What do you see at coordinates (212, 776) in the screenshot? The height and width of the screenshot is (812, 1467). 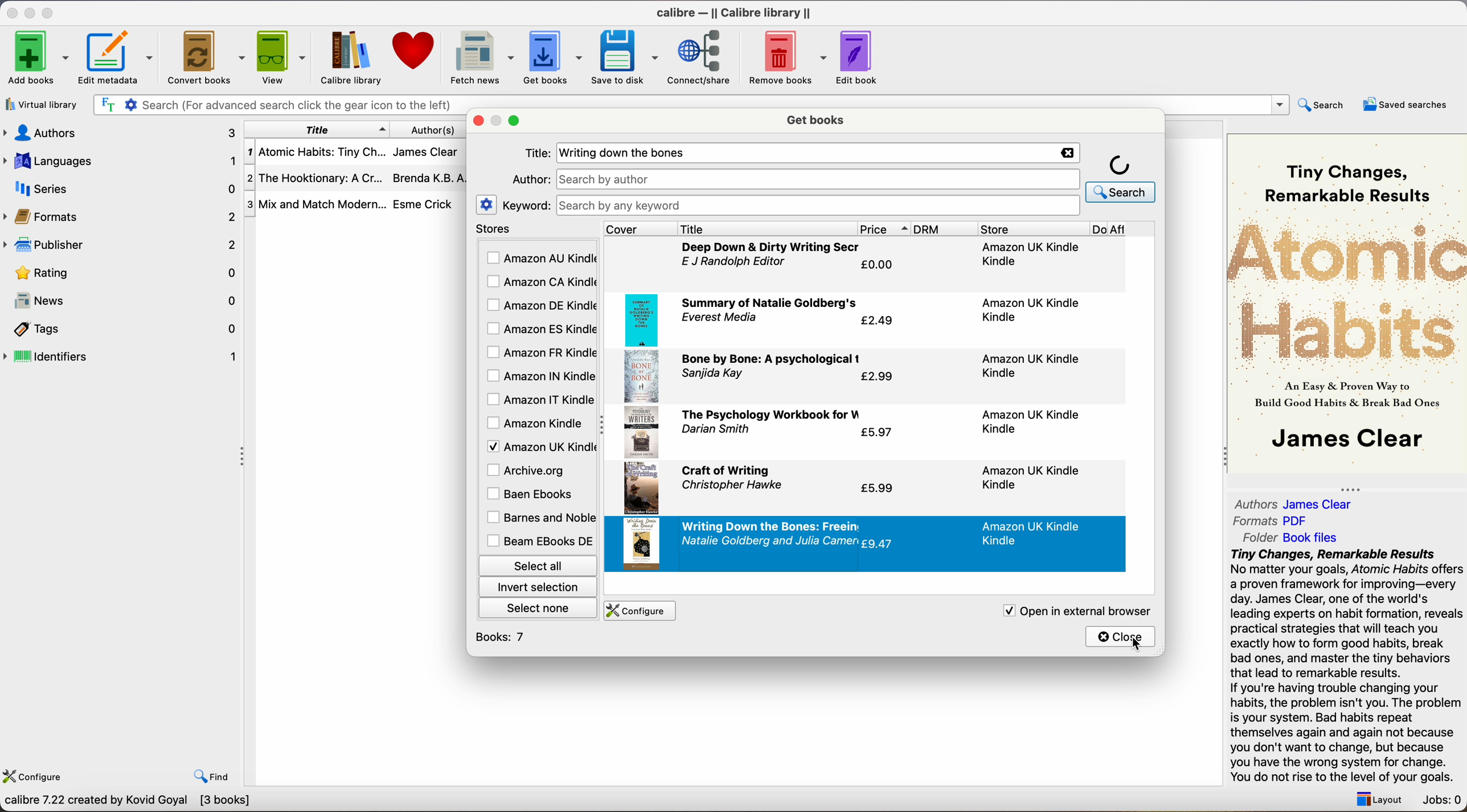 I see `find` at bounding box center [212, 776].